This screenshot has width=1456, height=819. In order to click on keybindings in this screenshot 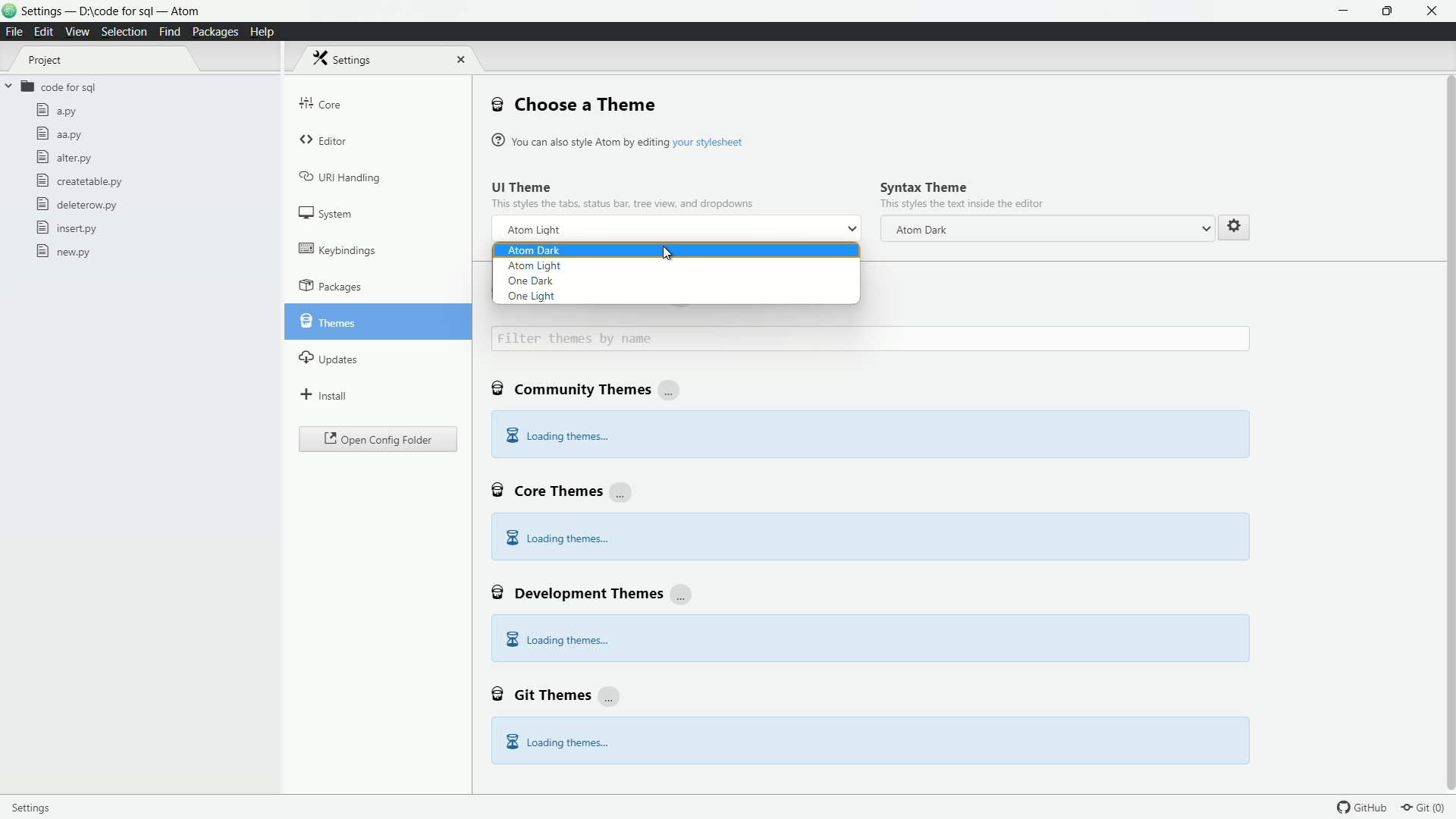, I will do `click(337, 249)`.